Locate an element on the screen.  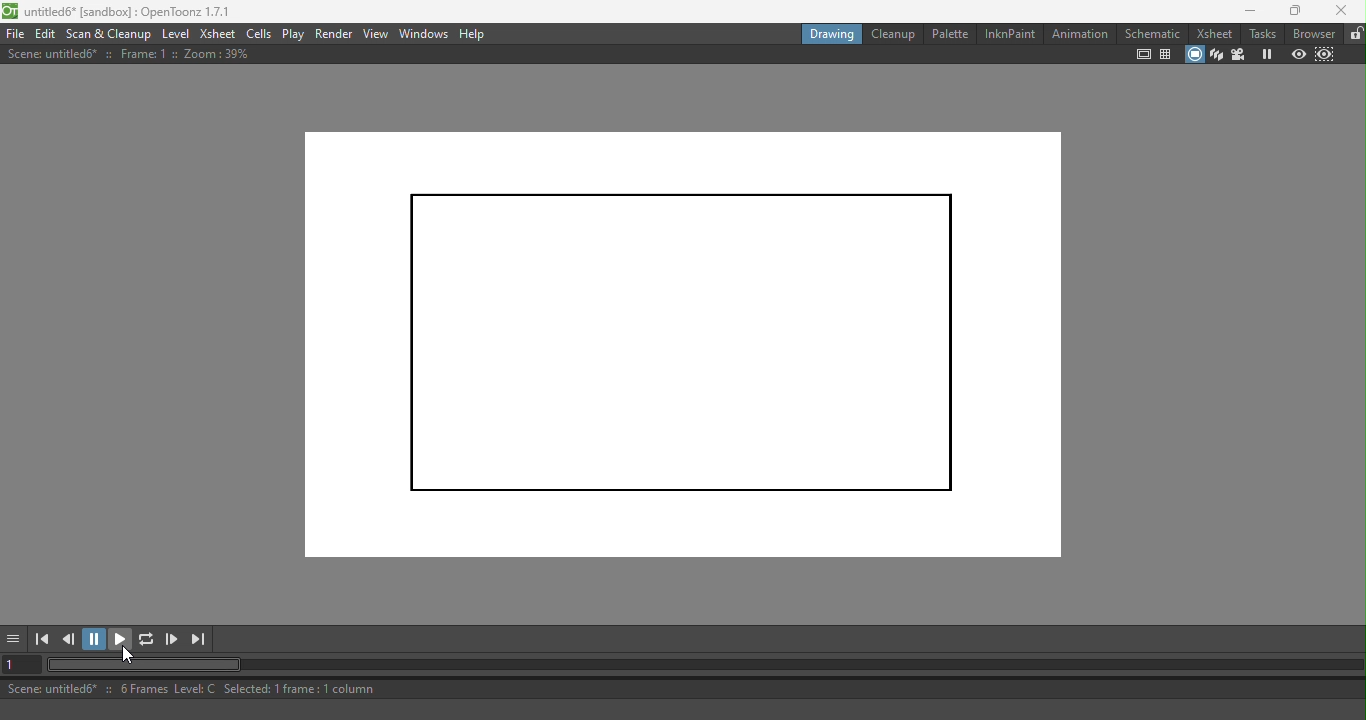
InknPaint is located at coordinates (1014, 34).